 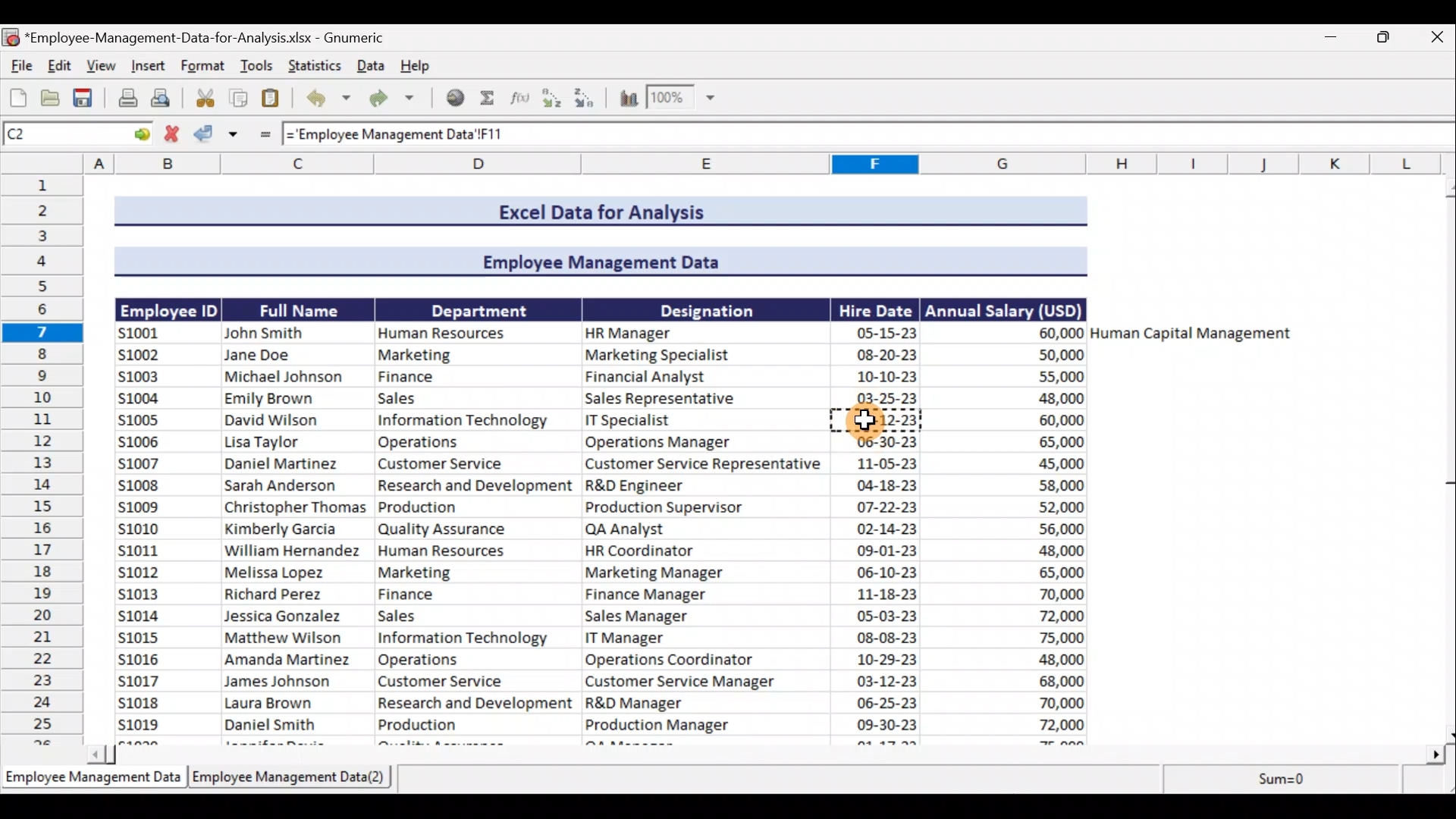 What do you see at coordinates (86, 98) in the screenshot?
I see `Save the current workbook` at bounding box center [86, 98].